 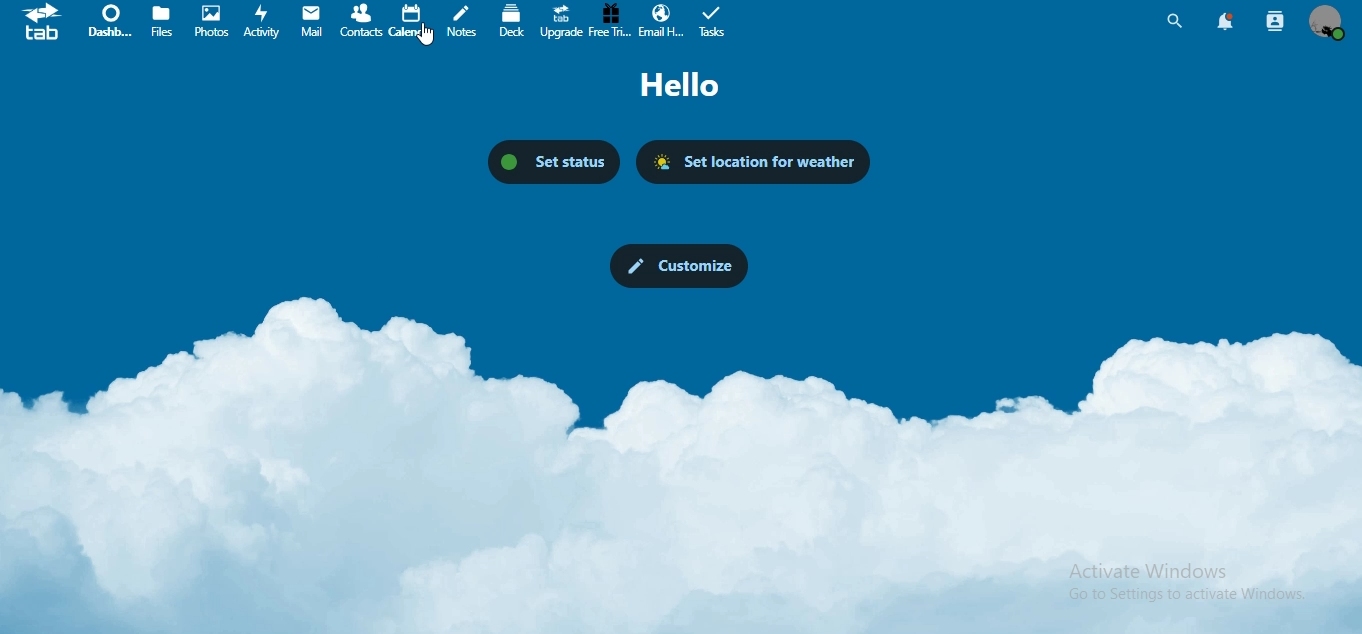 What do you see at coordinates (758, 163) in the screenshot?
I see `set location for weather` at bounding box center [758, 163].